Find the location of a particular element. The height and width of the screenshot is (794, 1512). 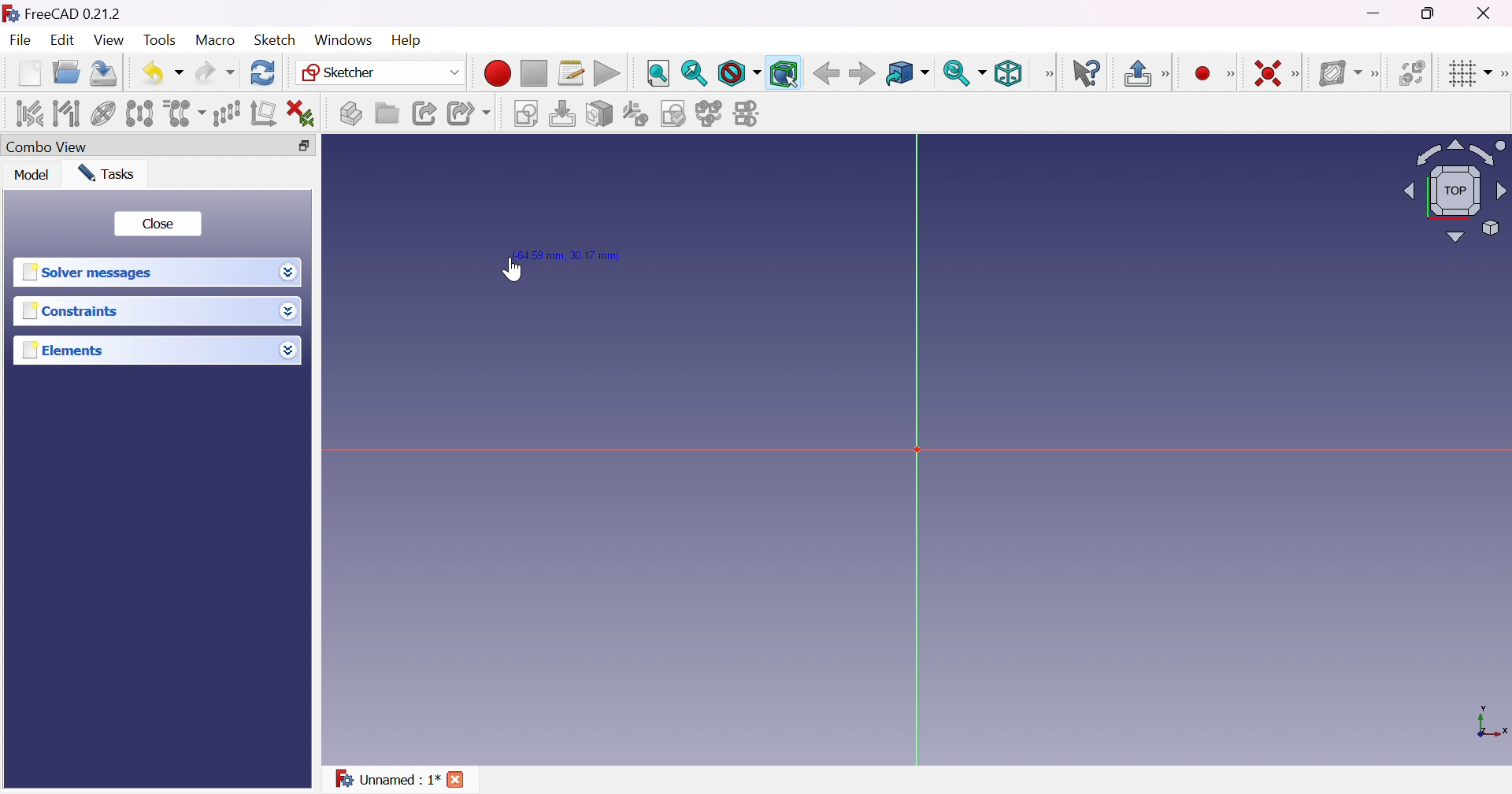

Viewing angle is located at coordinates (1455, 191).